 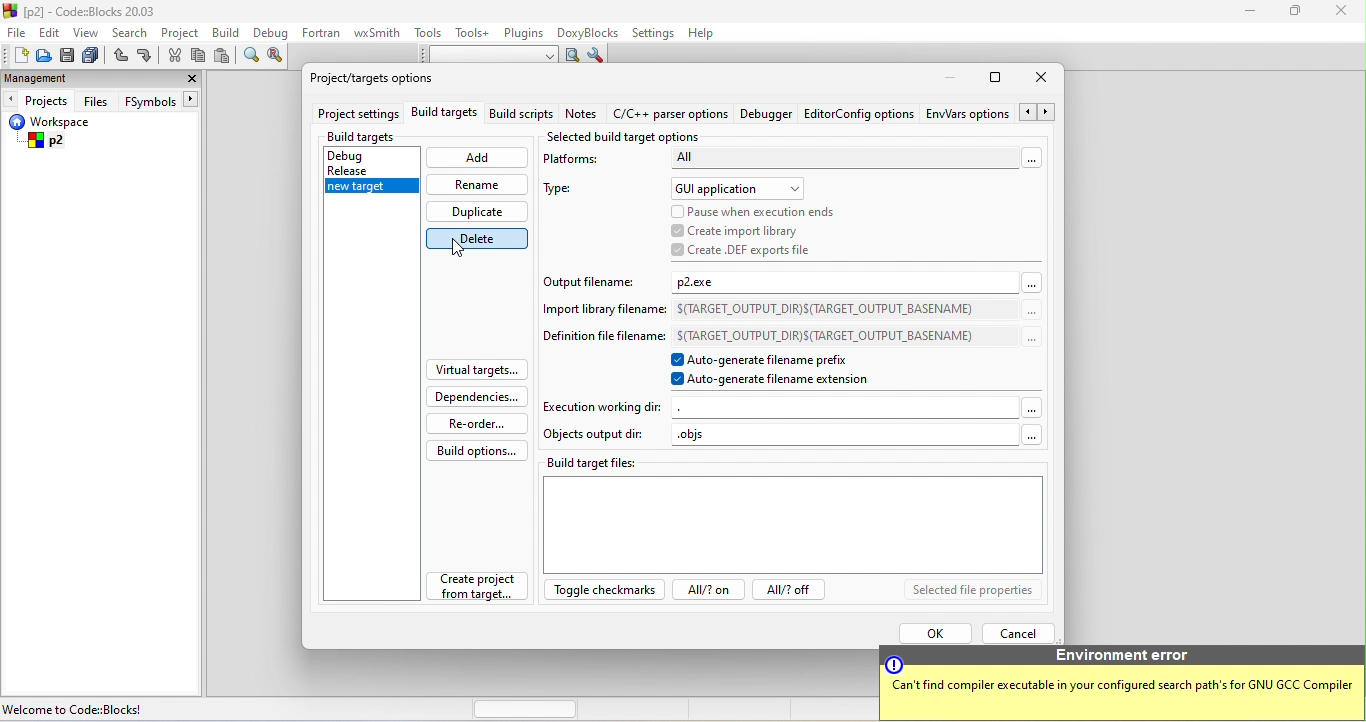 I want to click on virtual targets, so click(x=476, y=370).